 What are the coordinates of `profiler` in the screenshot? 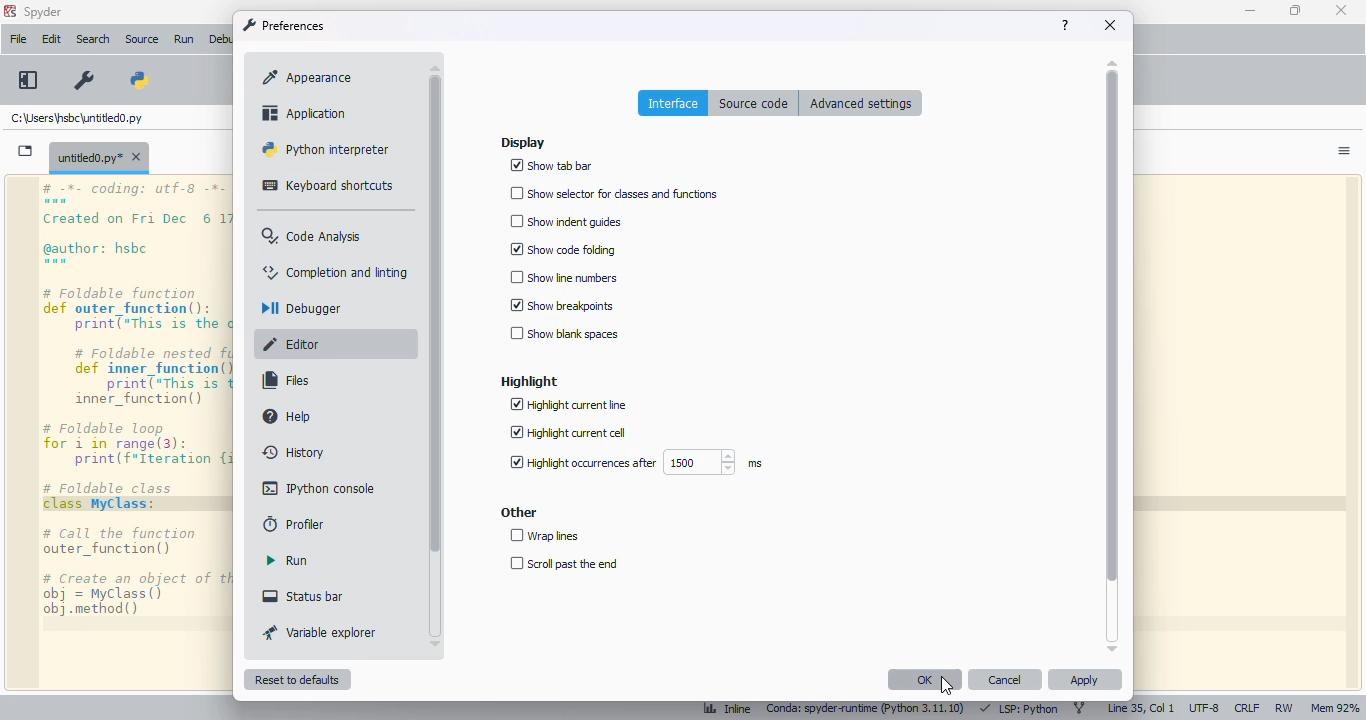 It's located at (291, 524).